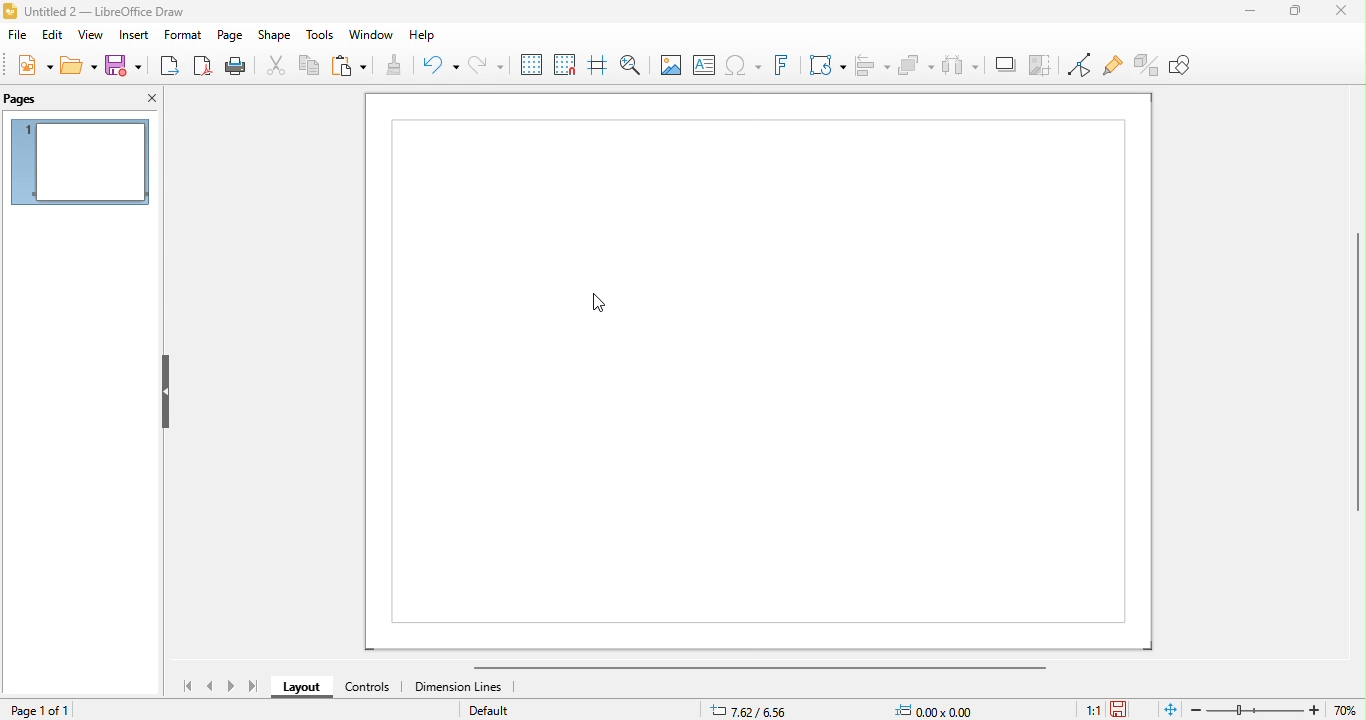  I want to click on file, so click(17, 35).